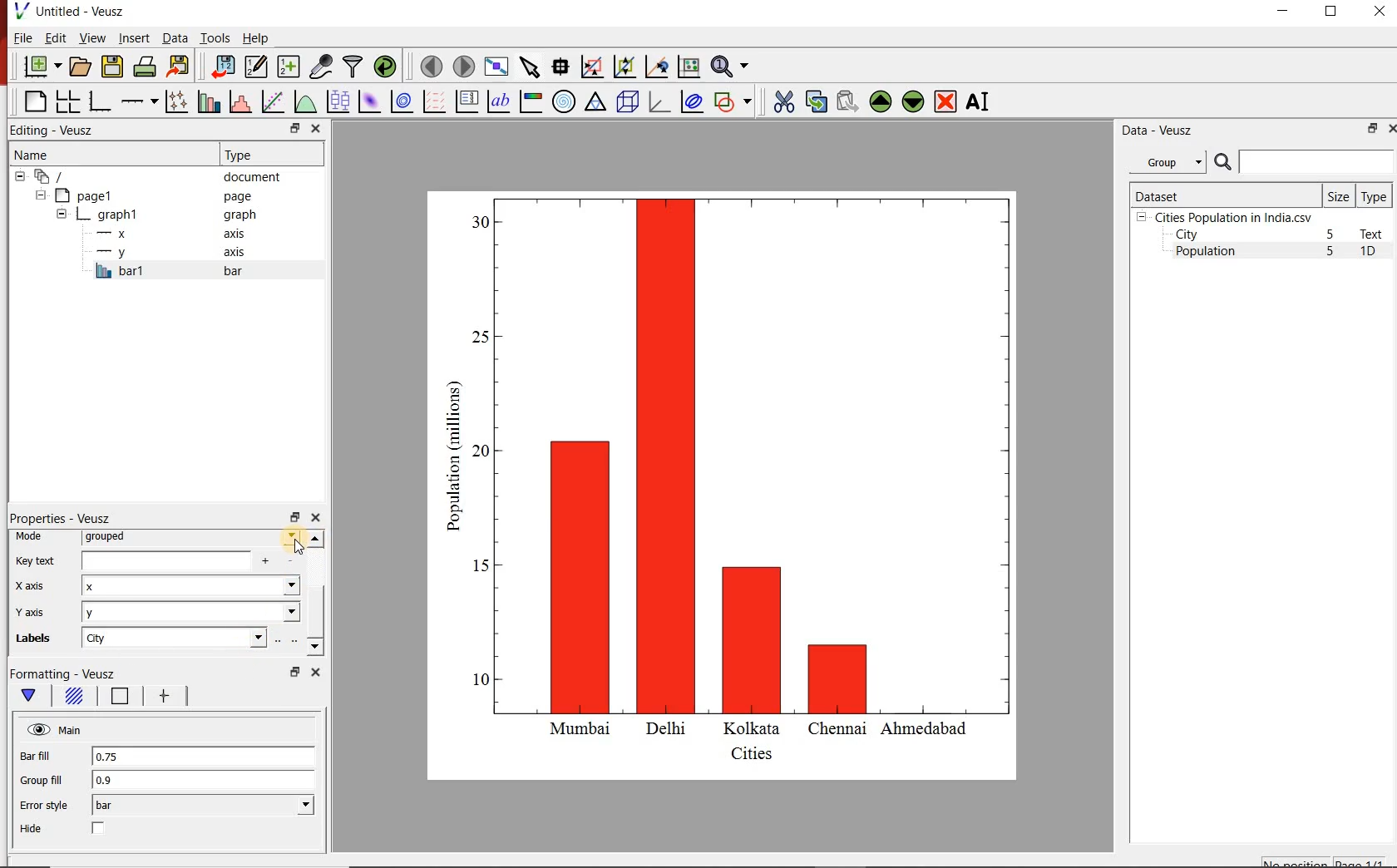 This screenshot has width=1397, height=868. I want to click on close, so click(318, 128).